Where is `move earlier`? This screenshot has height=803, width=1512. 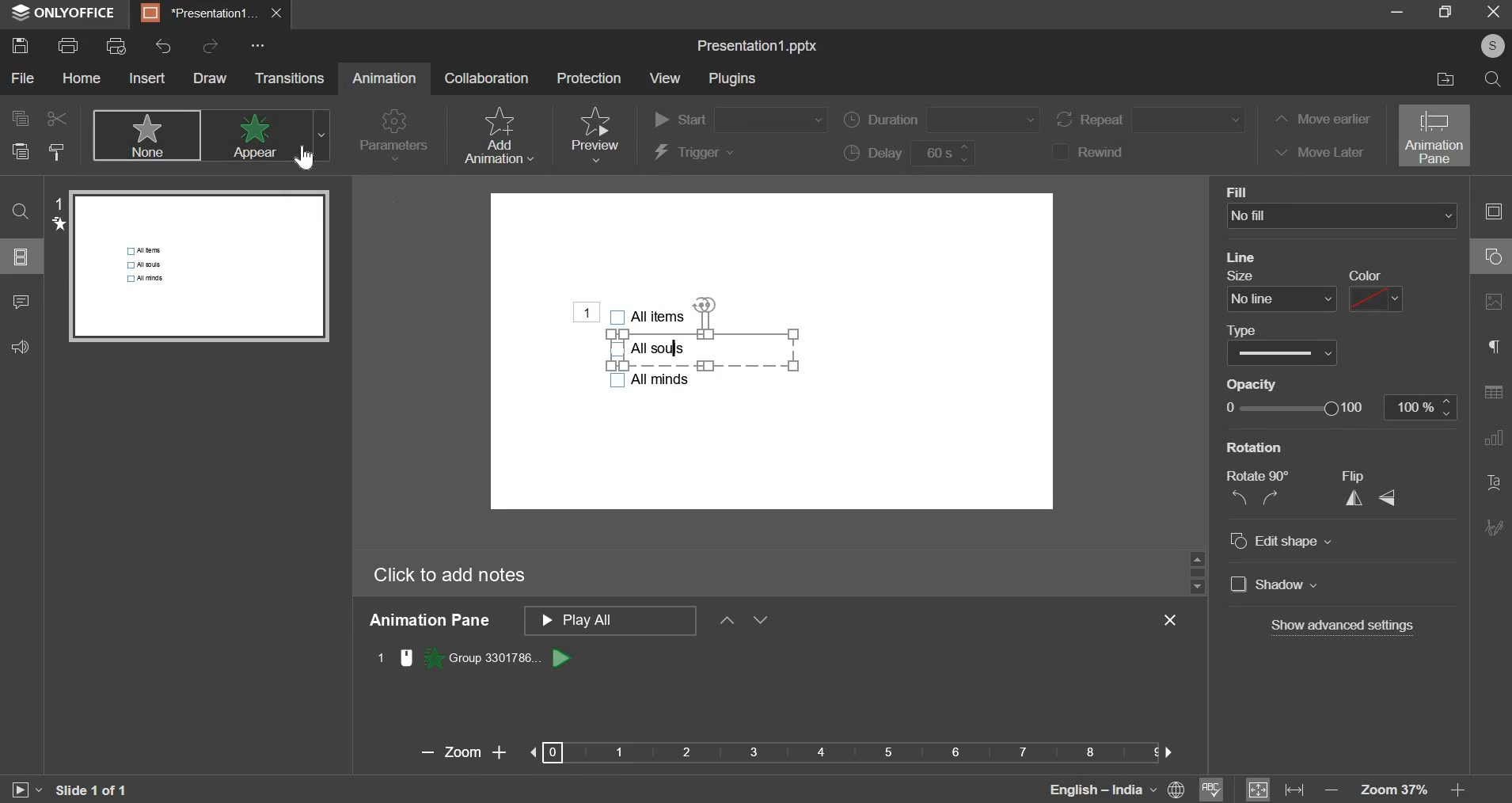 move earlier is located at coordinates (1320, 120).